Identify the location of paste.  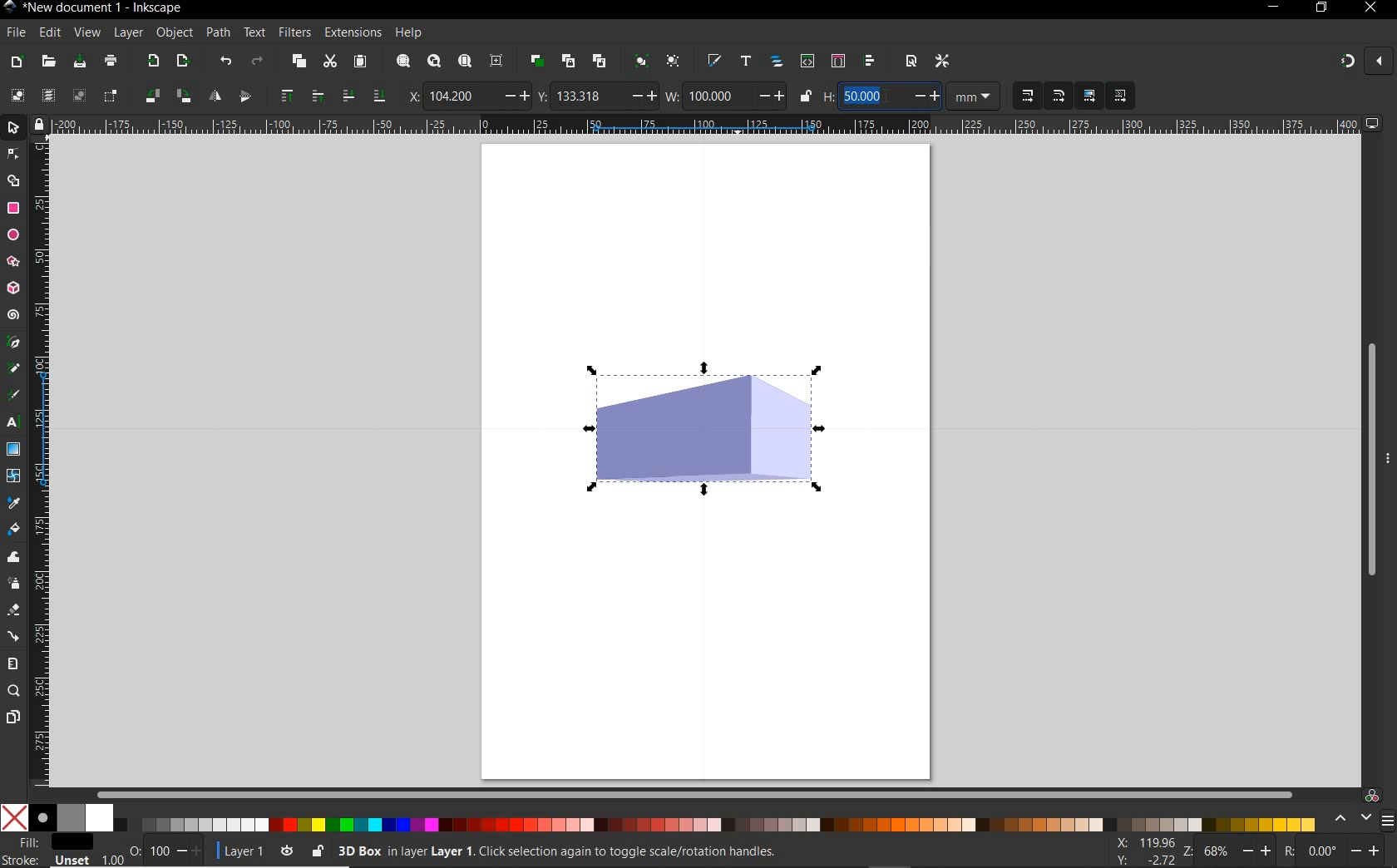
(360, 62).